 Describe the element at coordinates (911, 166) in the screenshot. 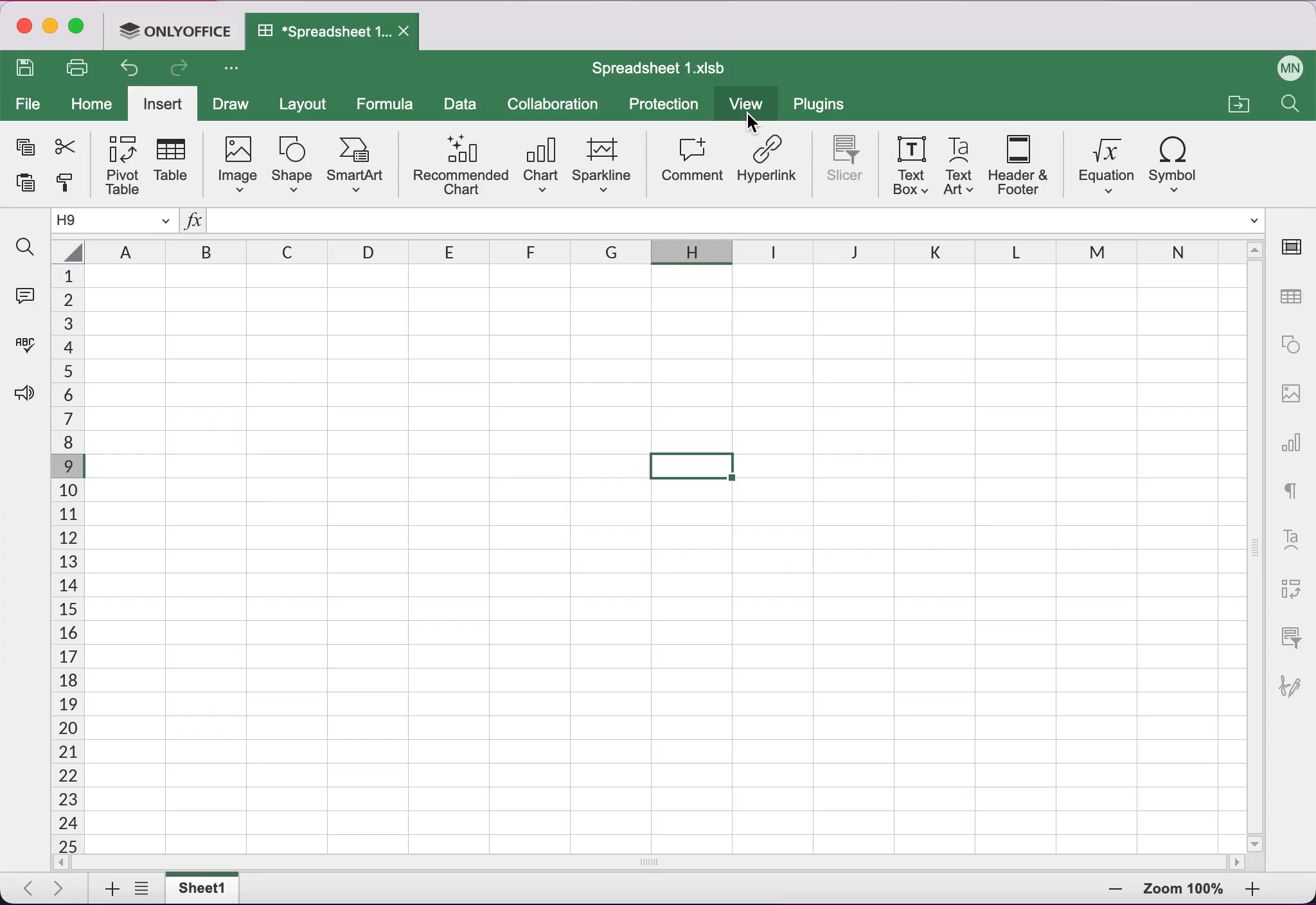

I see `text box` at that location.